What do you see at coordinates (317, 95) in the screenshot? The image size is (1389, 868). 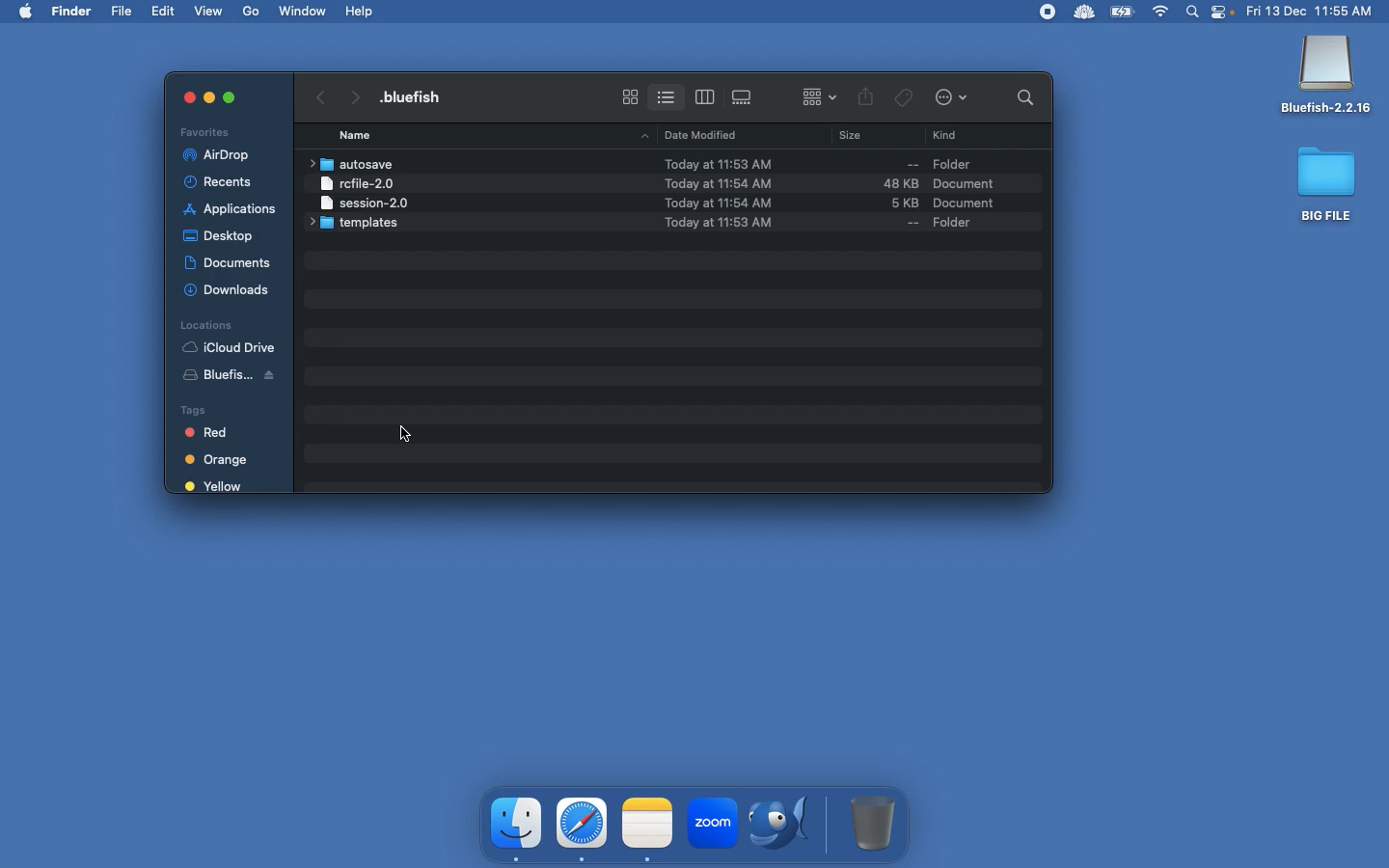 I see `go back` at bounding box center [317, 95].